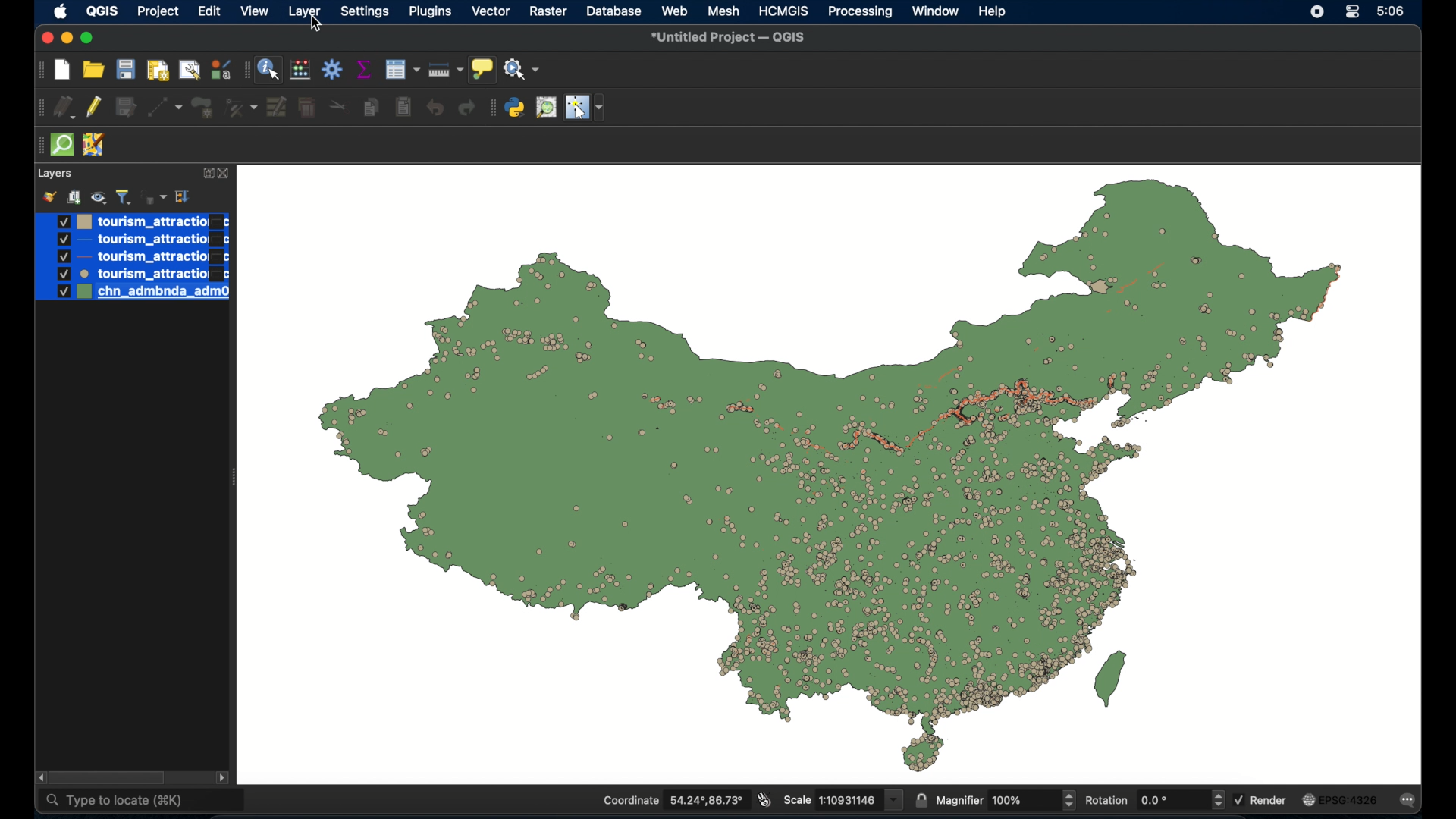 The width and height of the screenshot is (1456, 819). What do you see at coordinates (133, 221) in the screenshot?
I see `layer1` at bounding box center [133, 221].